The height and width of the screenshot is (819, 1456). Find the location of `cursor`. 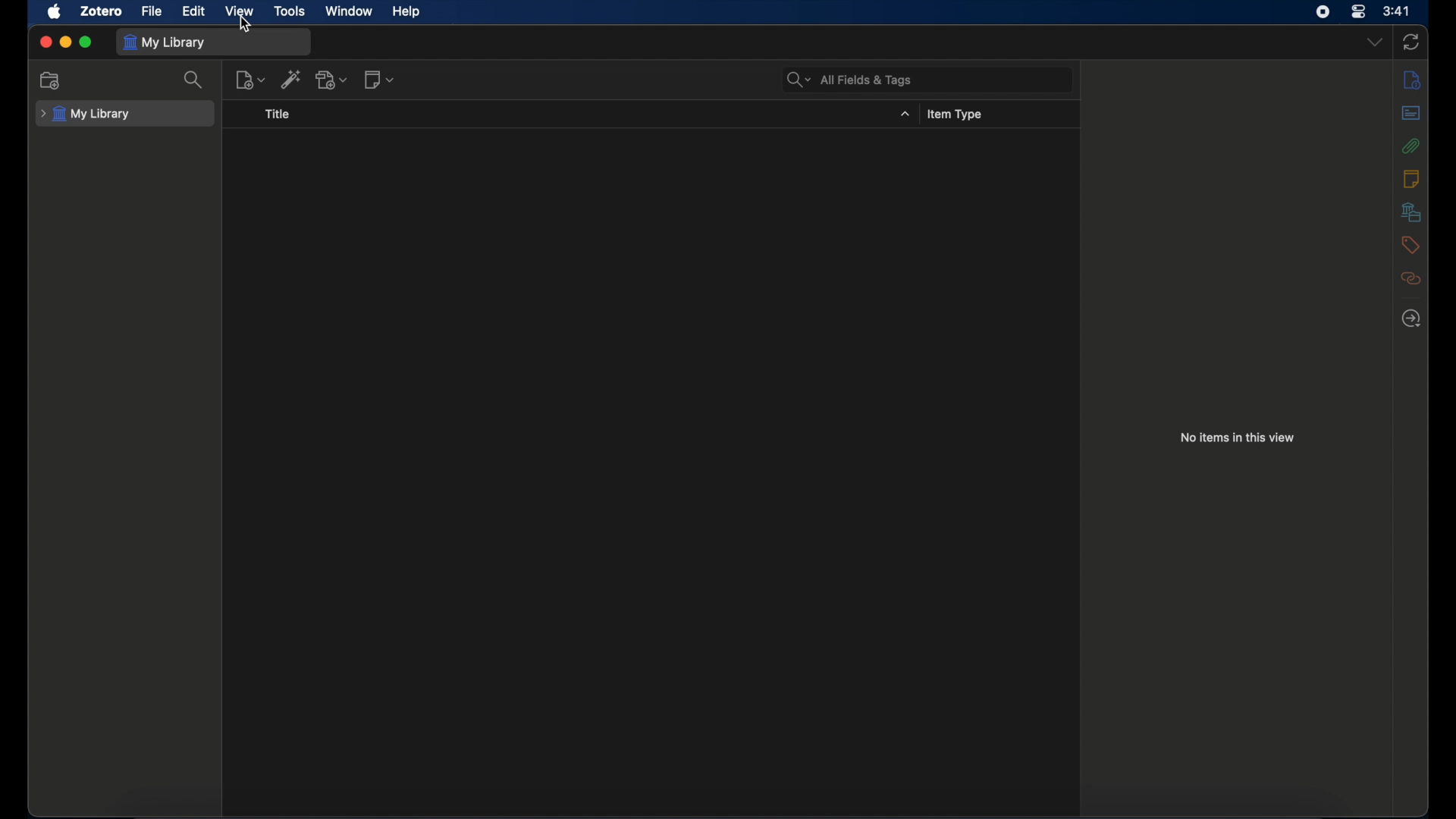

cursor is located at coordinates (246, 24).